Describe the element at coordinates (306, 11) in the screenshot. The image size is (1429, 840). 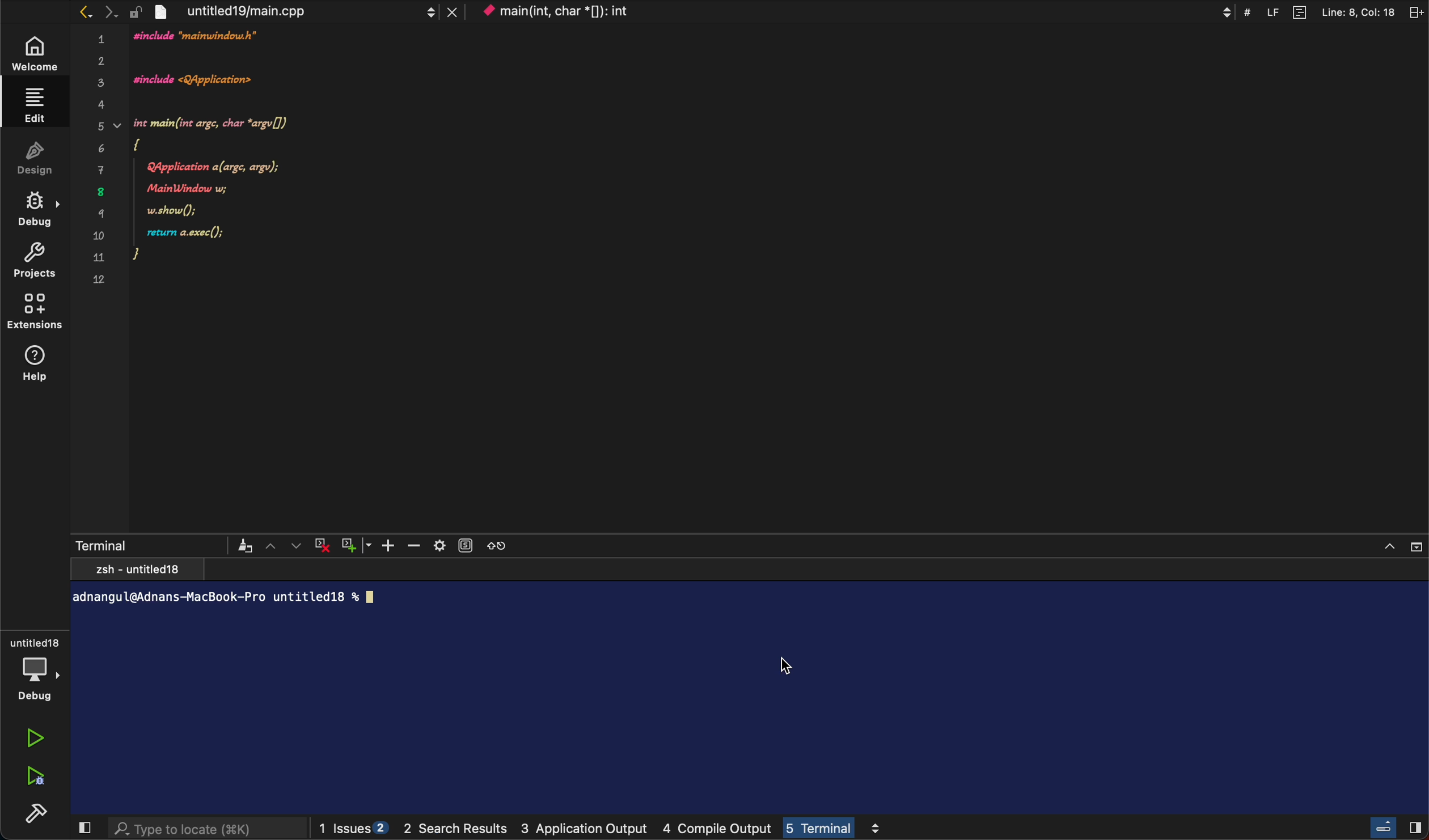
I see `file tab` at that location.